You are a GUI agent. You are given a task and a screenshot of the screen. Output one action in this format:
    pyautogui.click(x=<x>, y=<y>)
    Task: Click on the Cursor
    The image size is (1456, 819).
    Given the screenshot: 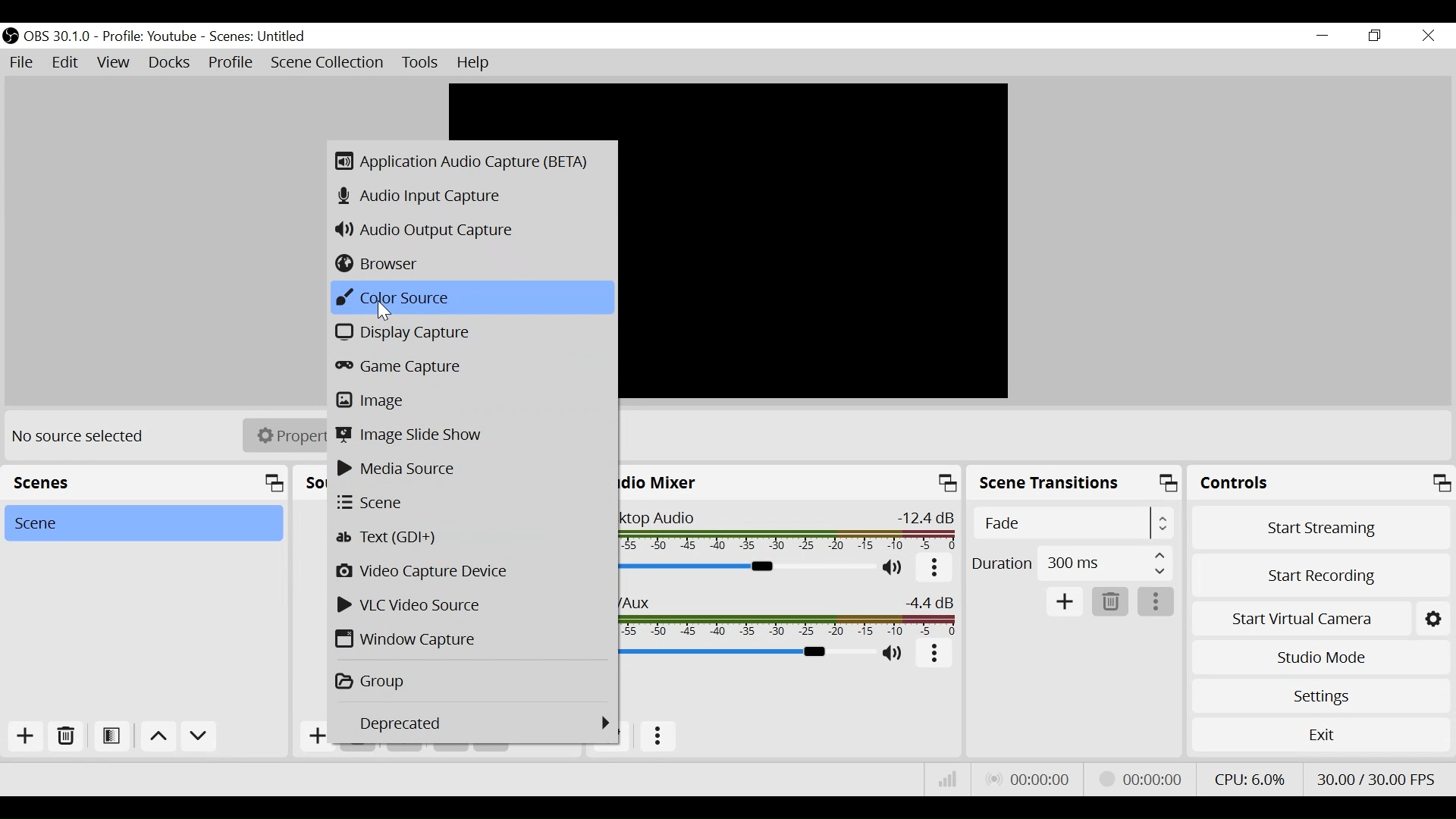 What is the action you would take?
    pyautogui.click(x=388, y=312)
    